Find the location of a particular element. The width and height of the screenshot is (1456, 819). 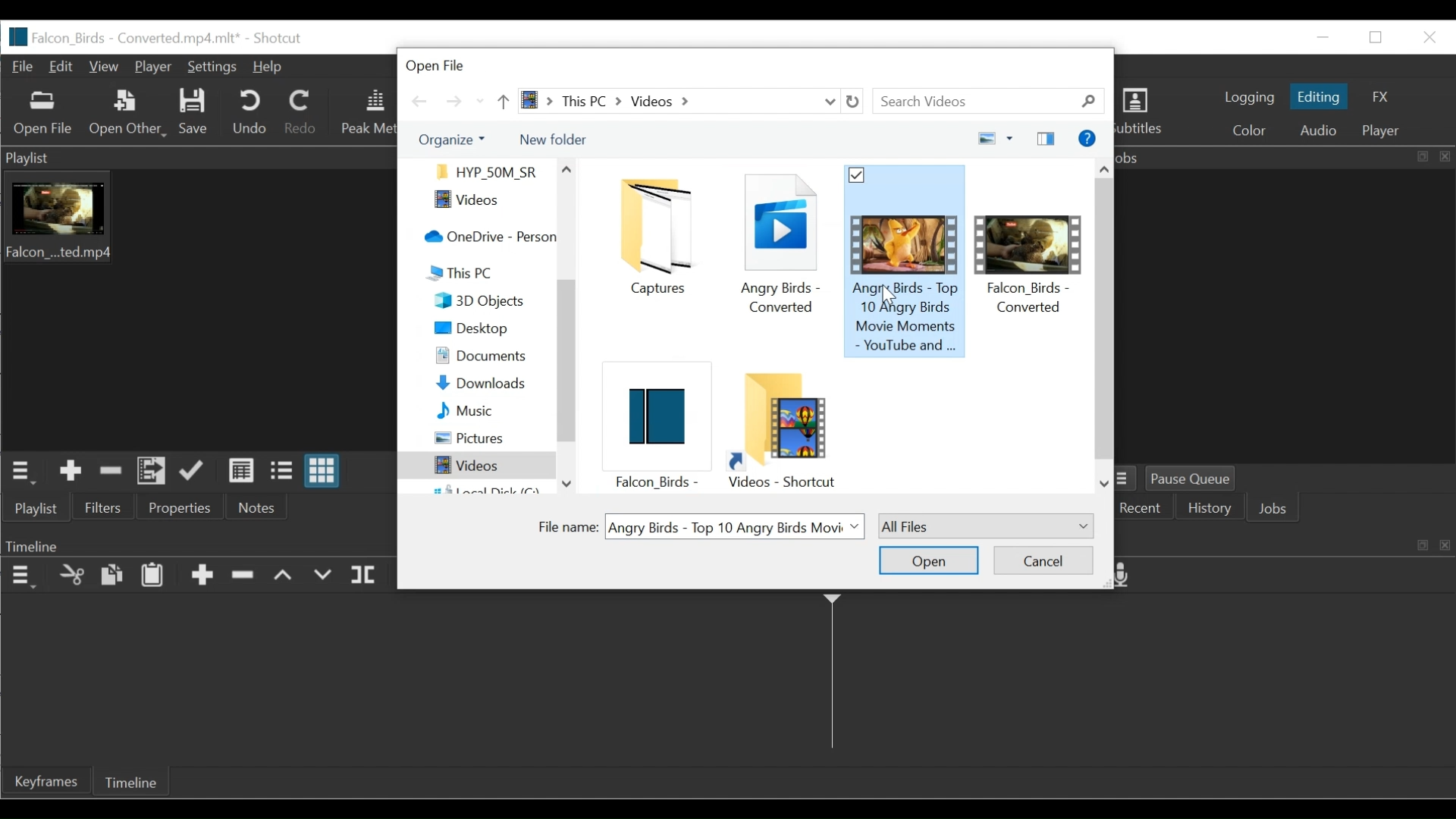

Audio is located at coordinates (1320, 130).